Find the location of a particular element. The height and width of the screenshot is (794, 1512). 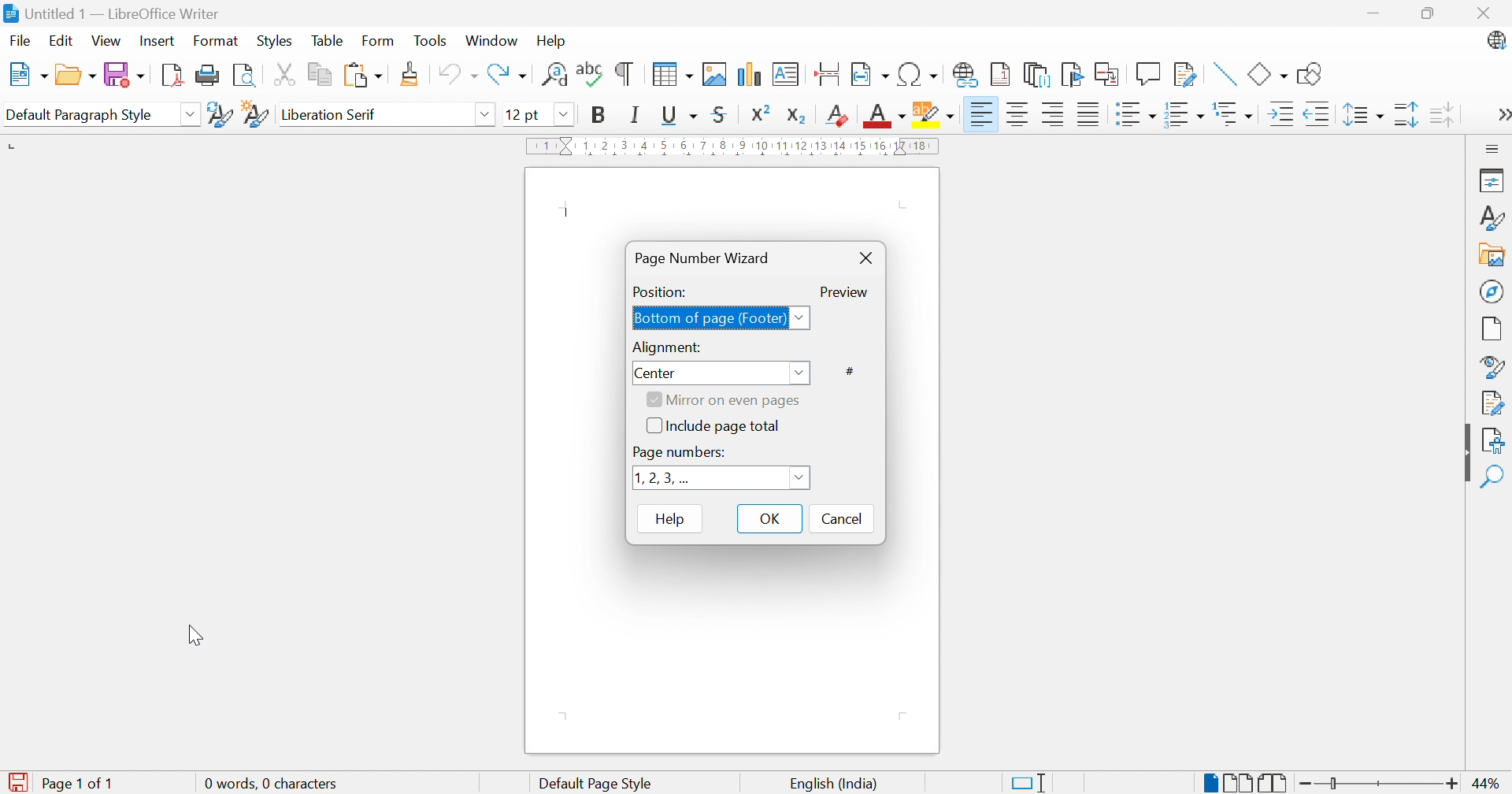

Toggle ordered list is located at coordinates (1182, 116).